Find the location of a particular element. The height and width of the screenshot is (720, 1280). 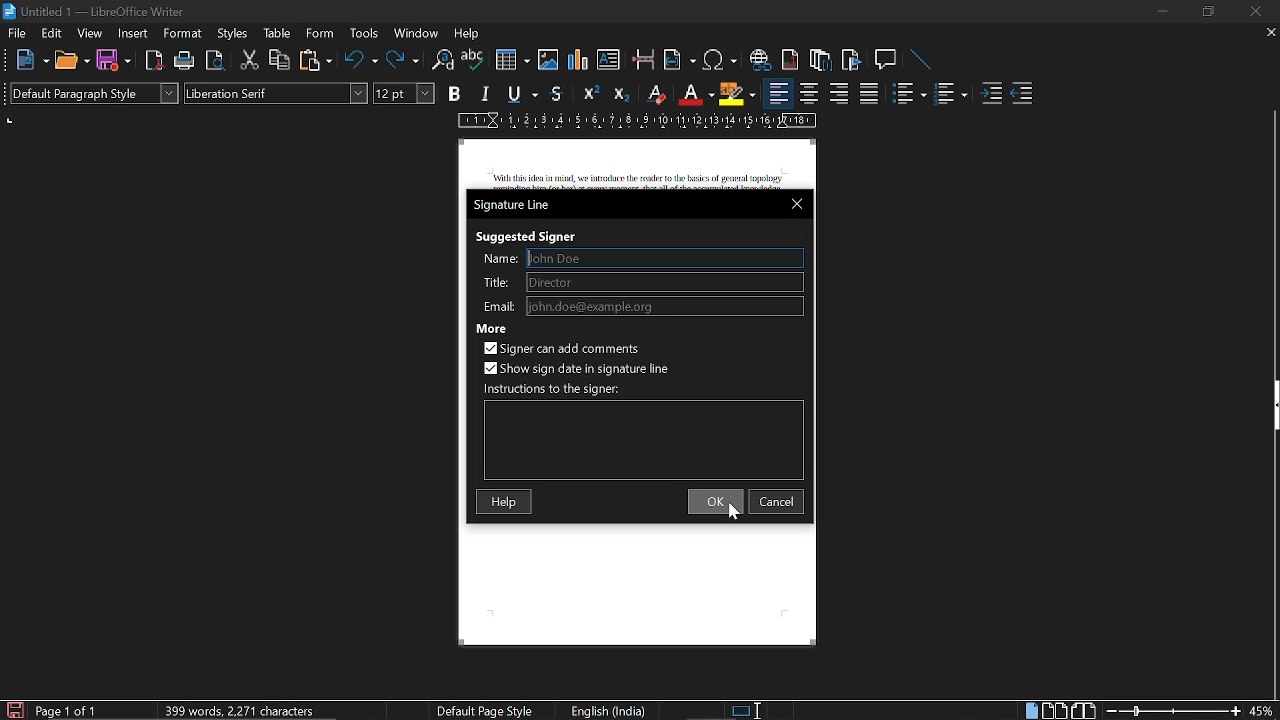

italic is located at coordinates (485, 96).